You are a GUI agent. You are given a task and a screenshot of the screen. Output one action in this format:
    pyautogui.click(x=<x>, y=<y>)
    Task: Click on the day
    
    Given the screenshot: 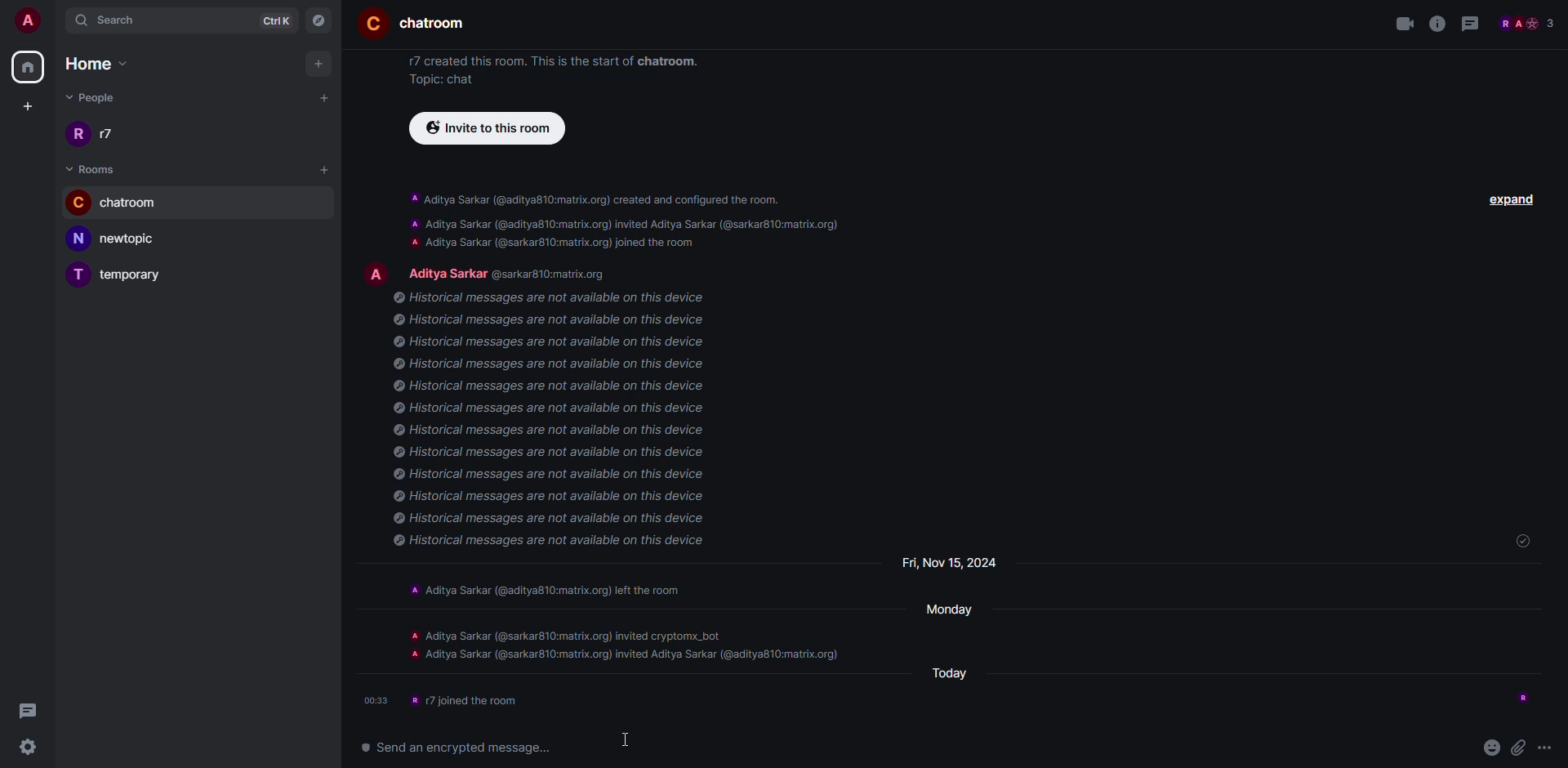 What is the action you would take?
    pyautogui.click(x=960, y=674)
    